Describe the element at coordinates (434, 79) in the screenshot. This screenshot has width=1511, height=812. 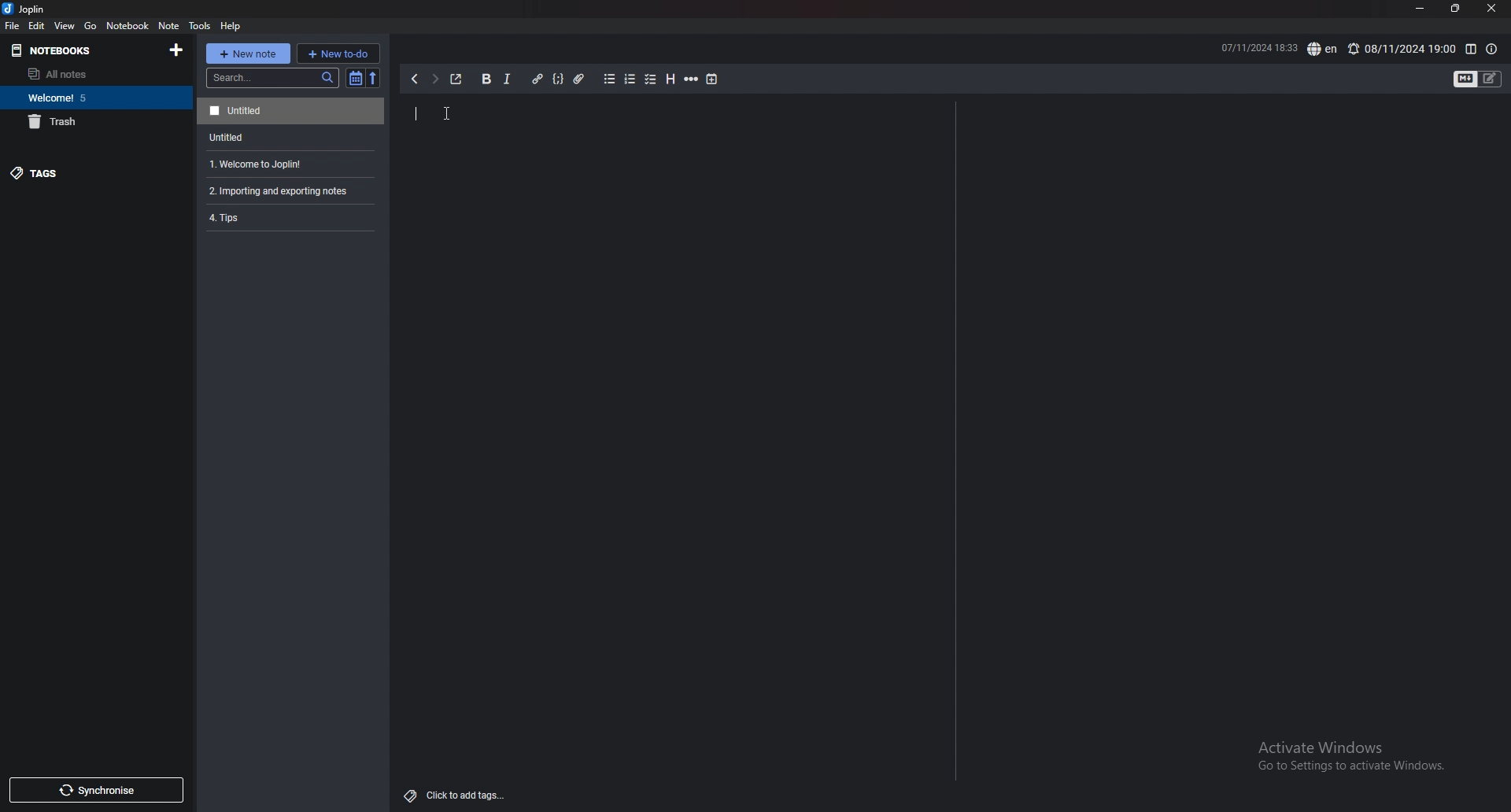
I see `next` at that location.